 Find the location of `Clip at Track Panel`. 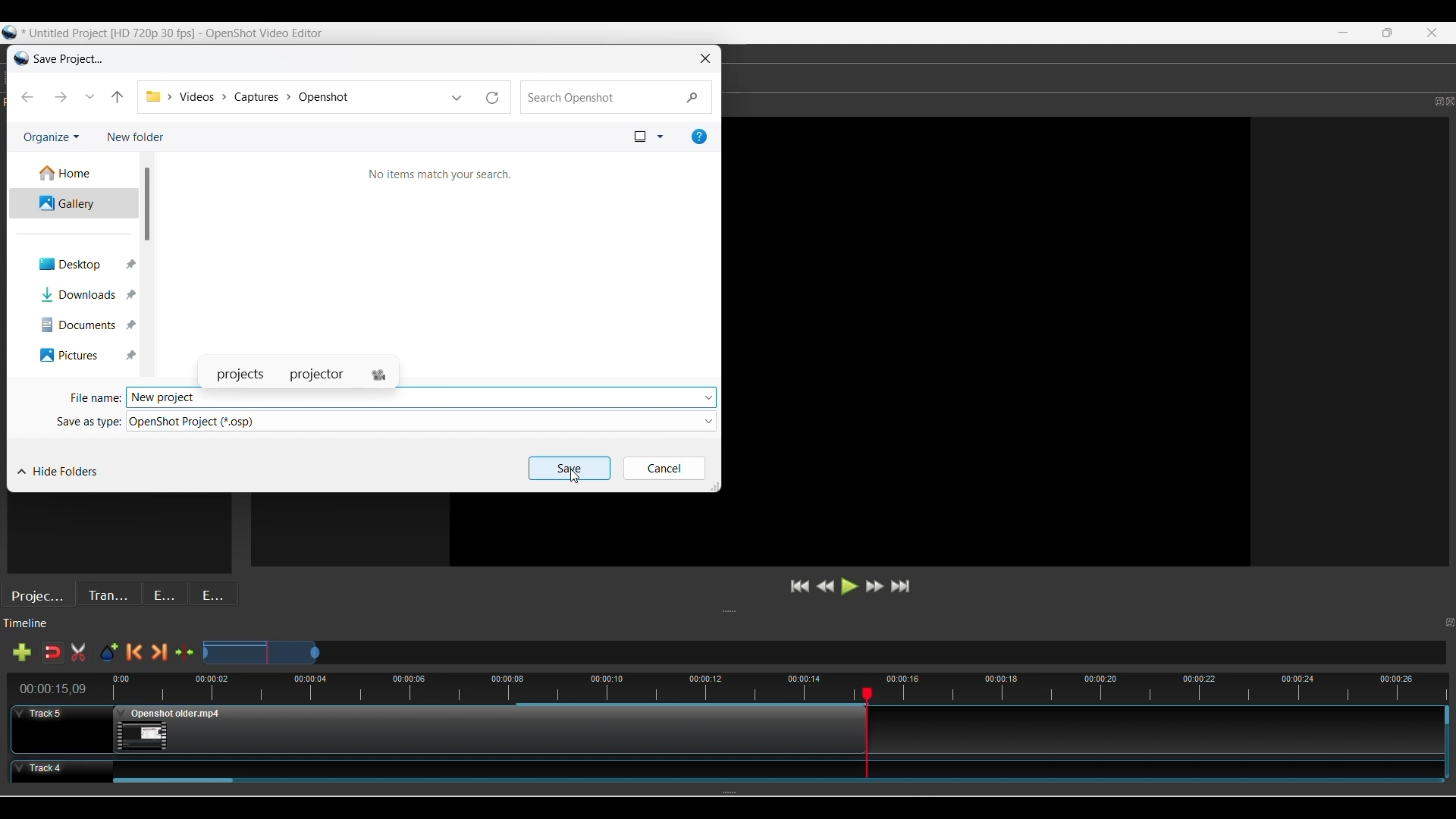

Clip at Track Panel is located at coordinates (762, 767).